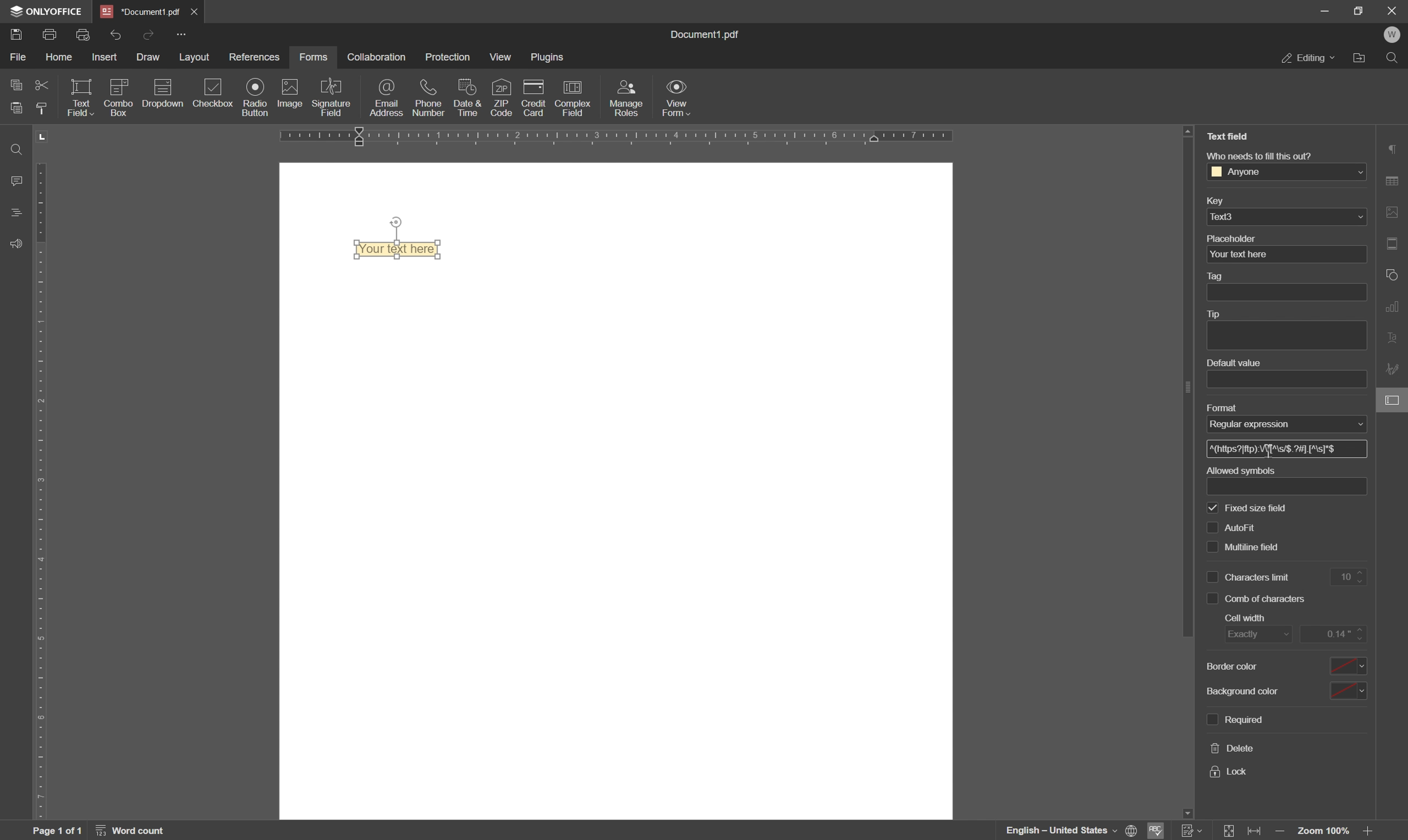 This screenshot has width=1408, height=840. Describe the element at coordinates (1241, 667) in the screenshot. I see `background color` at that location.